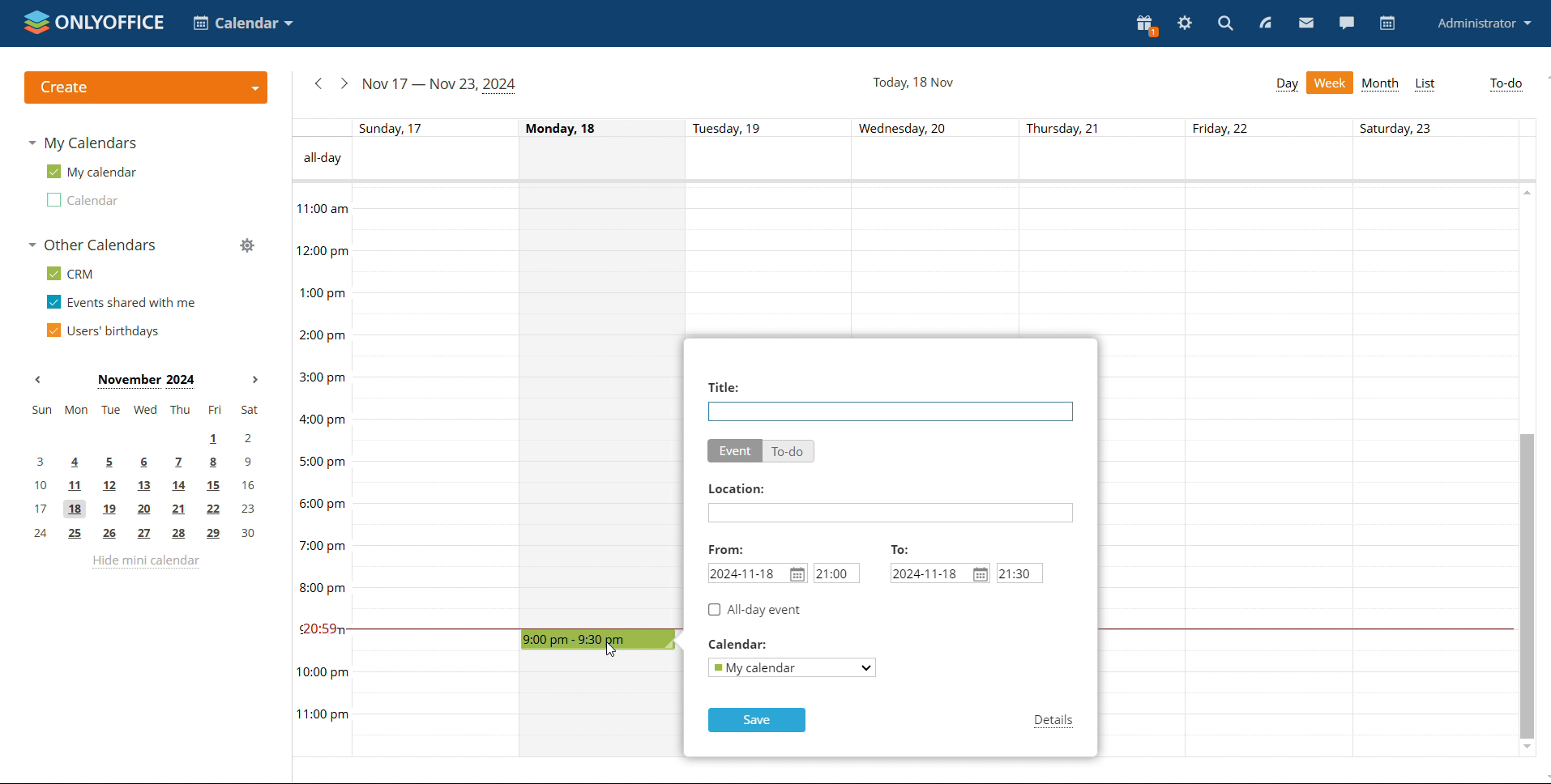 Image resolution: width=1551 pixels, height=784 pixels. Describe the element at coordinates (1265, 22) in the screenshot. I see `feed` at that location.